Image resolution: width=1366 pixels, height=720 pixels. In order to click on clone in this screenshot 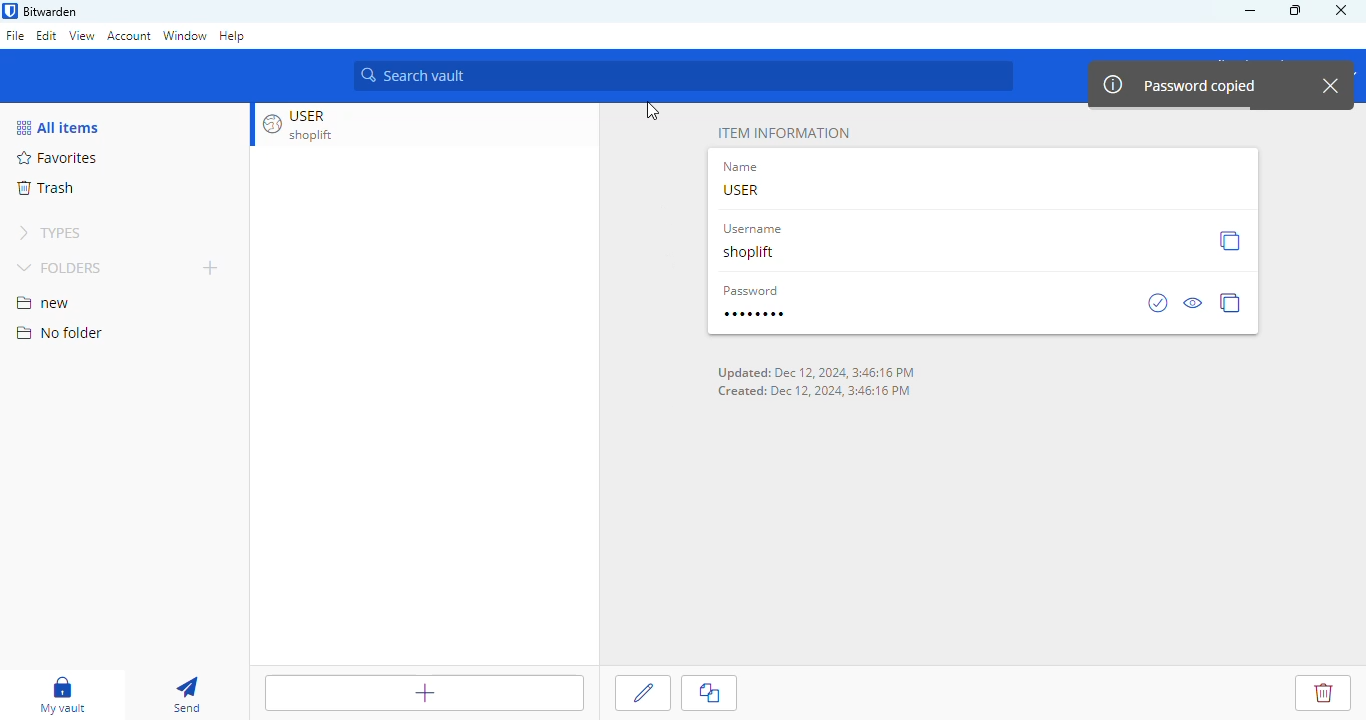, I will do `click(711, 693)`.